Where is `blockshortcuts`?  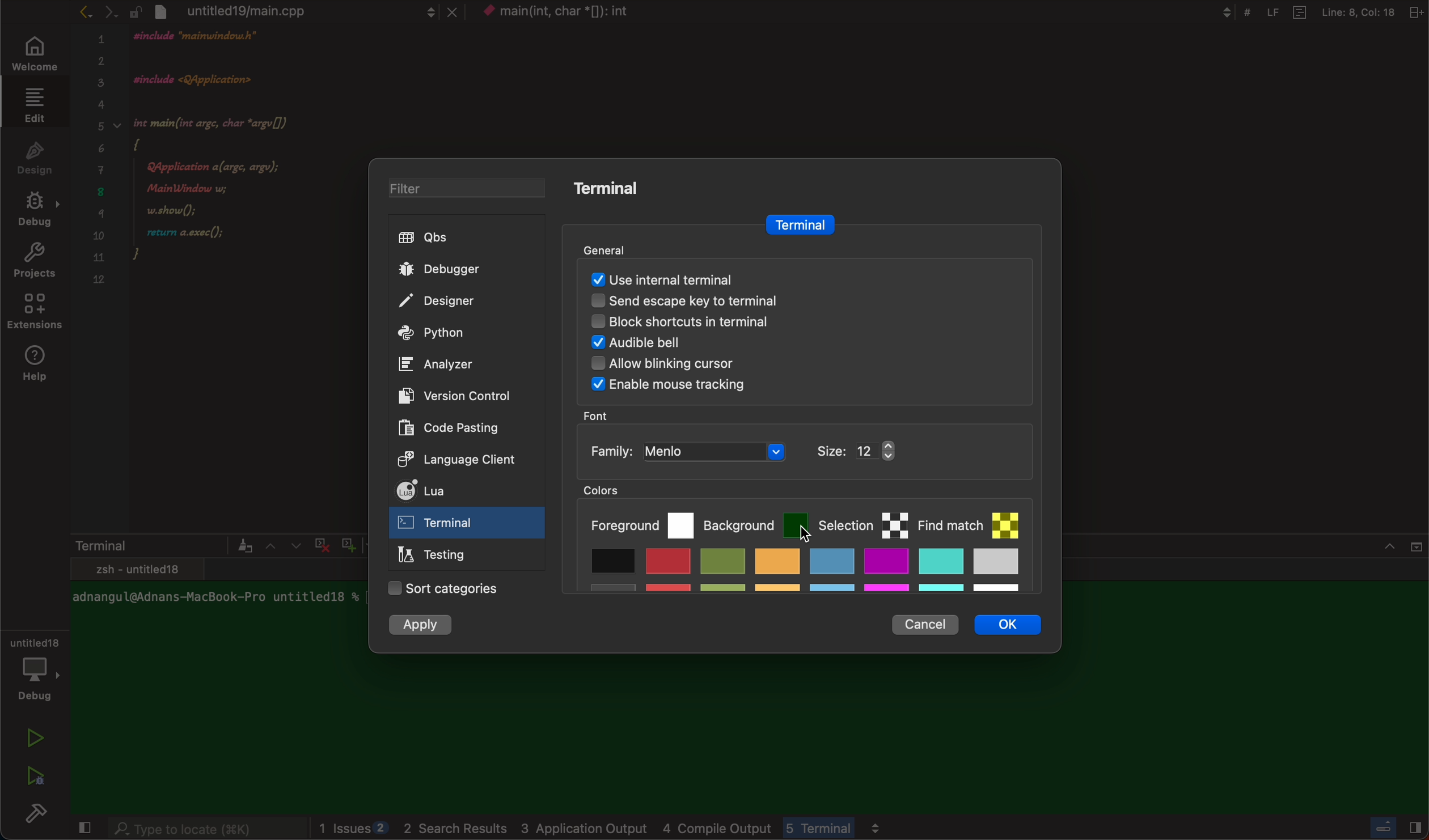 blockshortcuts is located at coordinates (795, 325).